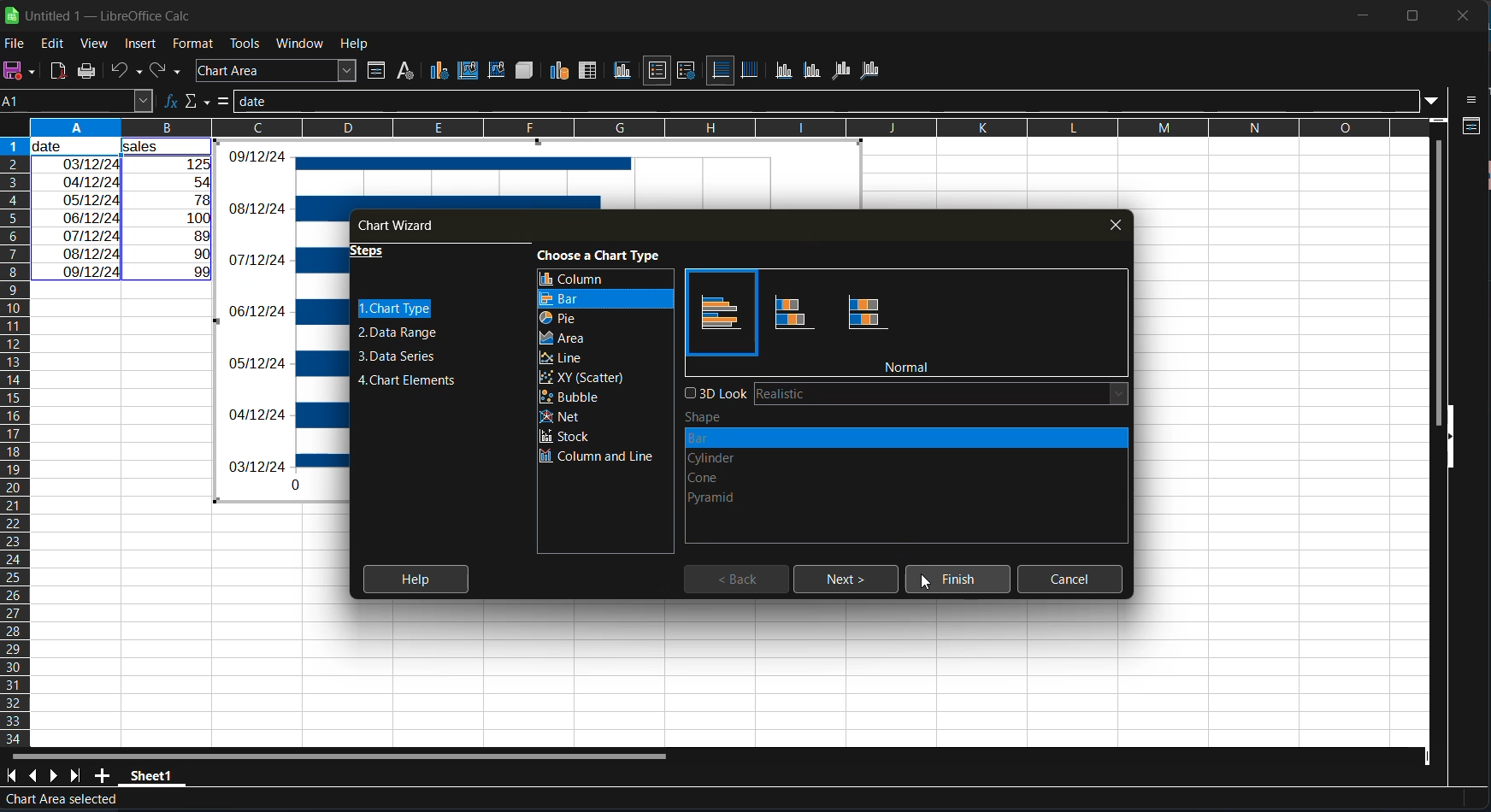 The height and width of the screenshot is (812, 1491). I want to click on chart wall, so click(497, 69).